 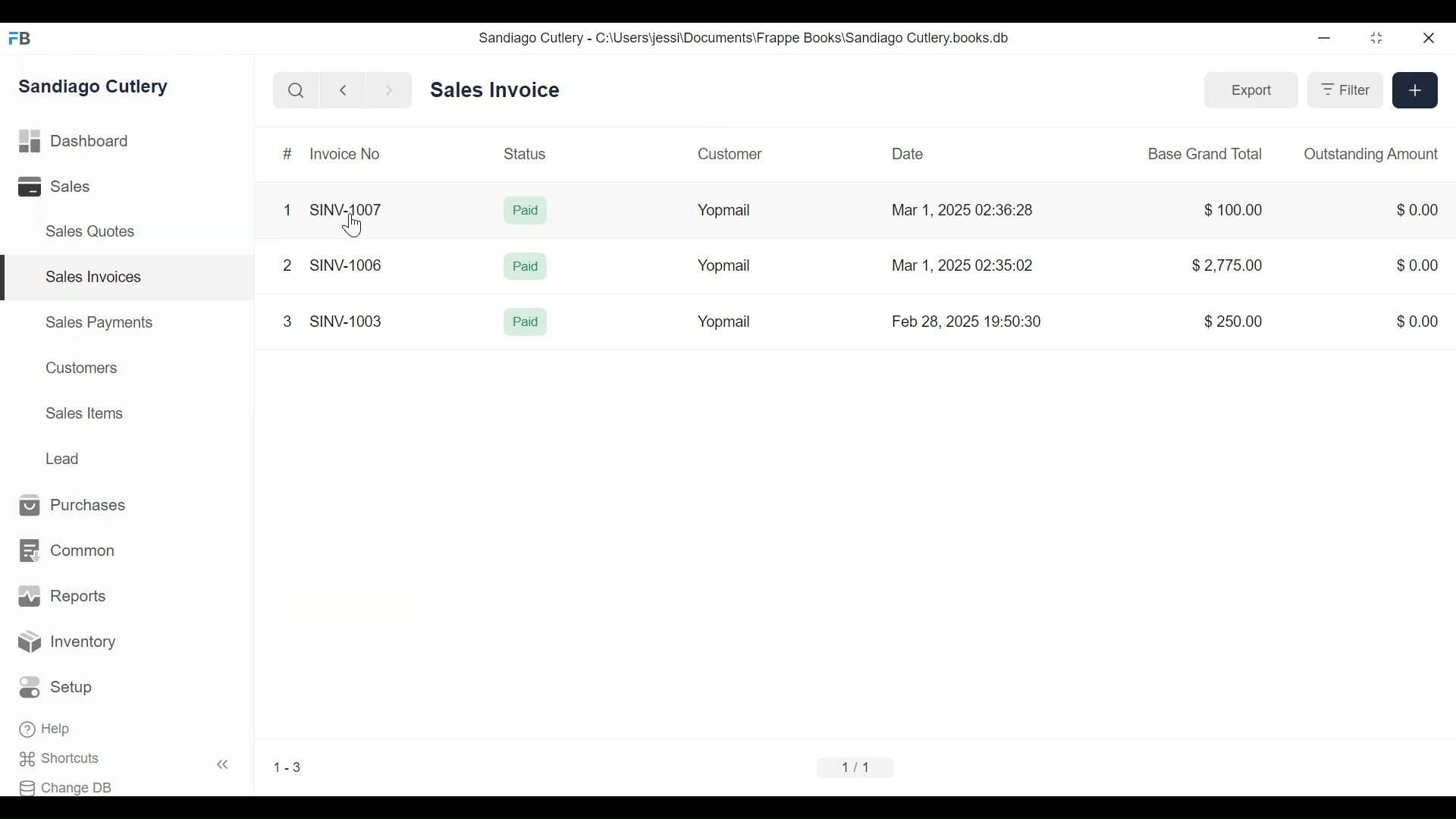 What do you see at coordinates (526, 268) in the screenshot?
I see `Paid` at bounding box center [526, 268].